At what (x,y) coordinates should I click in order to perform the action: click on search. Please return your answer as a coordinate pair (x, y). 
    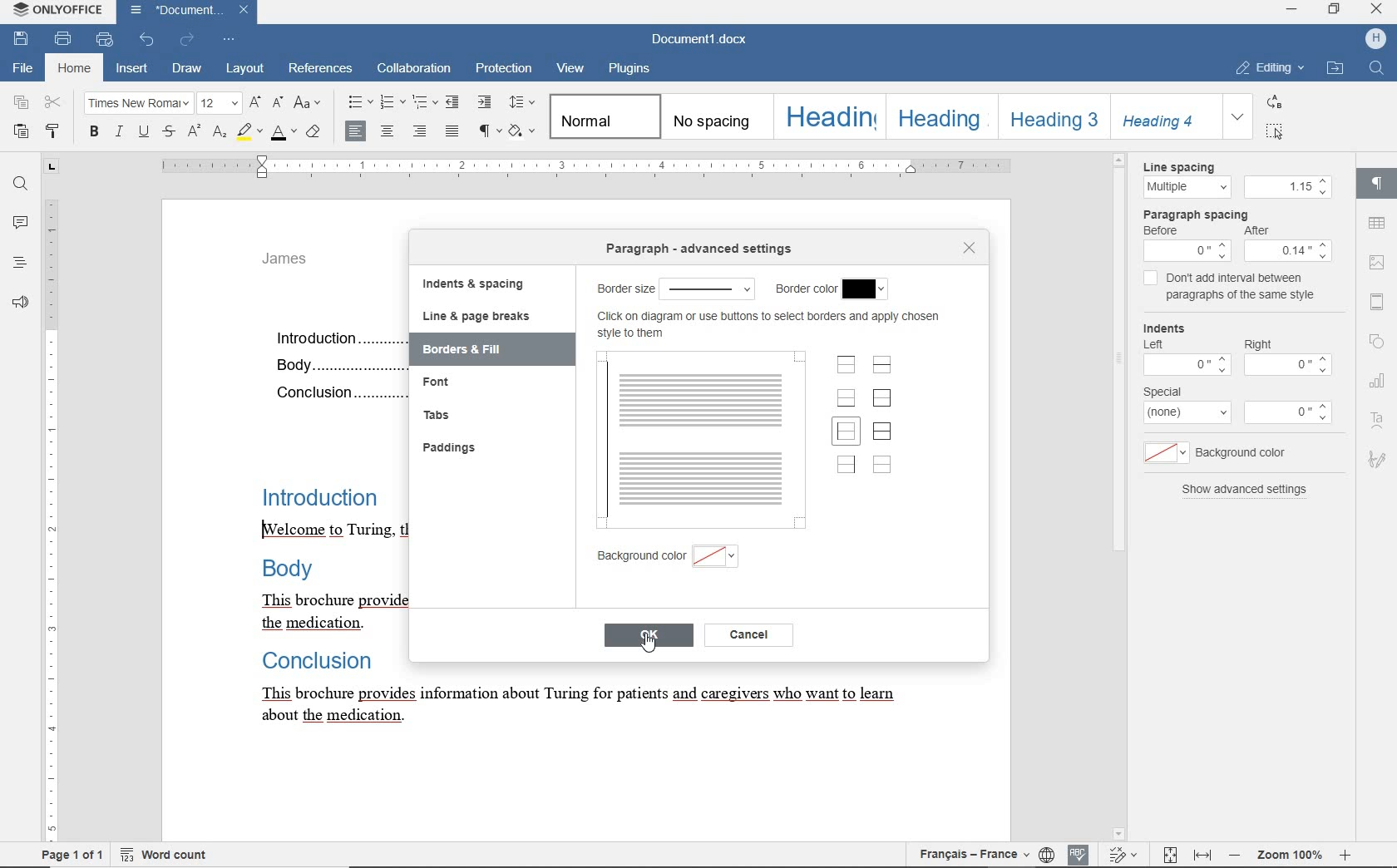
    Looking at the image, I should click on (1375, 68).